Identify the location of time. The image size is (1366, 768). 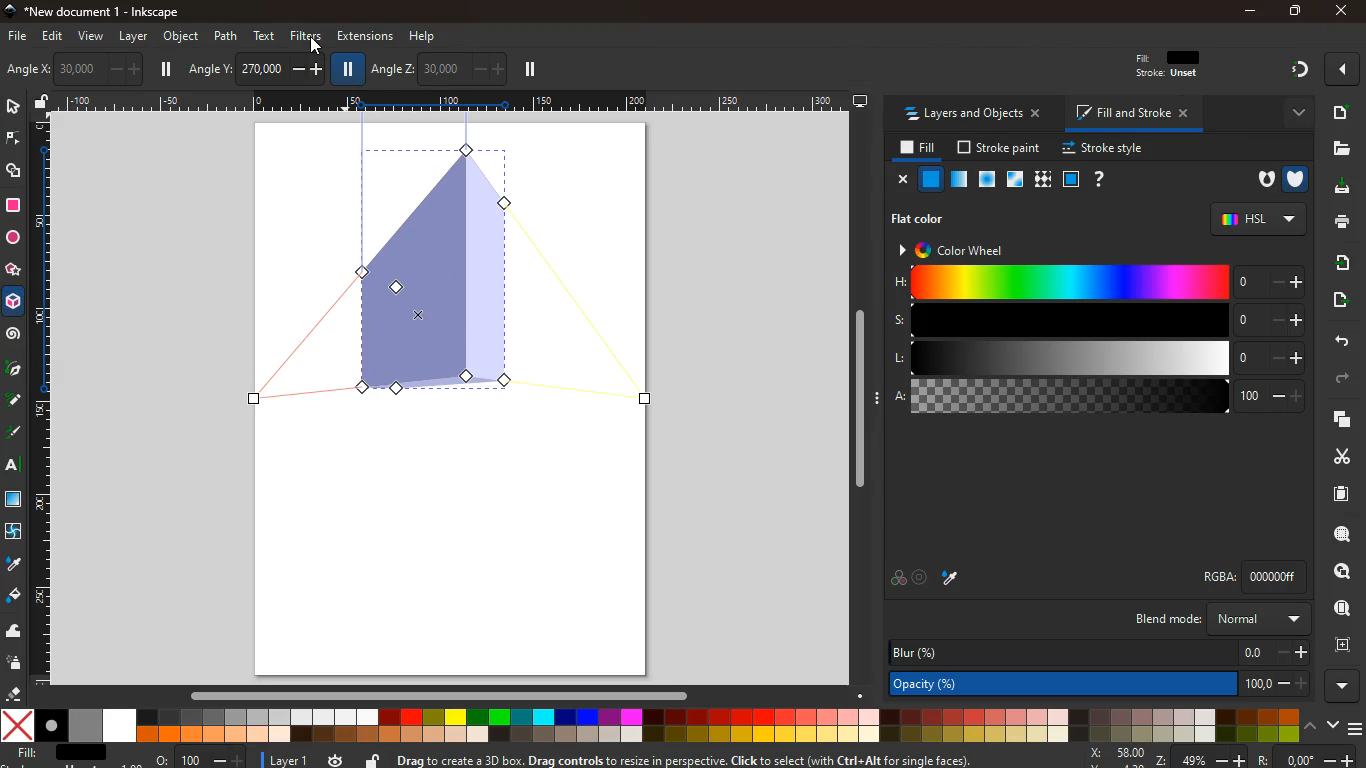
(334, 760).